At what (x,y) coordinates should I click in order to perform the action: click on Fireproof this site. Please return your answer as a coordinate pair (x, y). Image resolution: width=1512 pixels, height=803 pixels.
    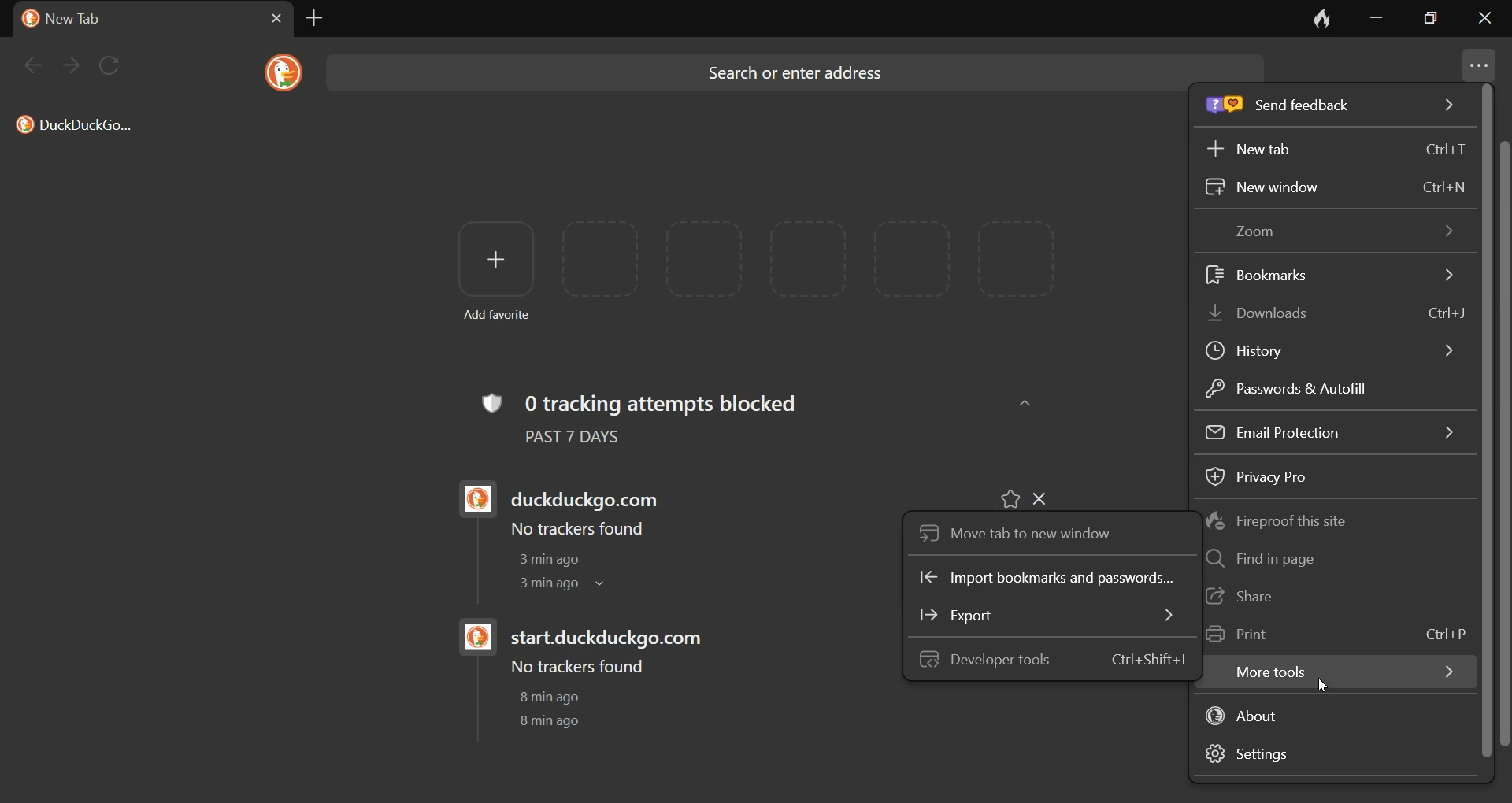
    Looking at the image, I should click on (1277, 524).